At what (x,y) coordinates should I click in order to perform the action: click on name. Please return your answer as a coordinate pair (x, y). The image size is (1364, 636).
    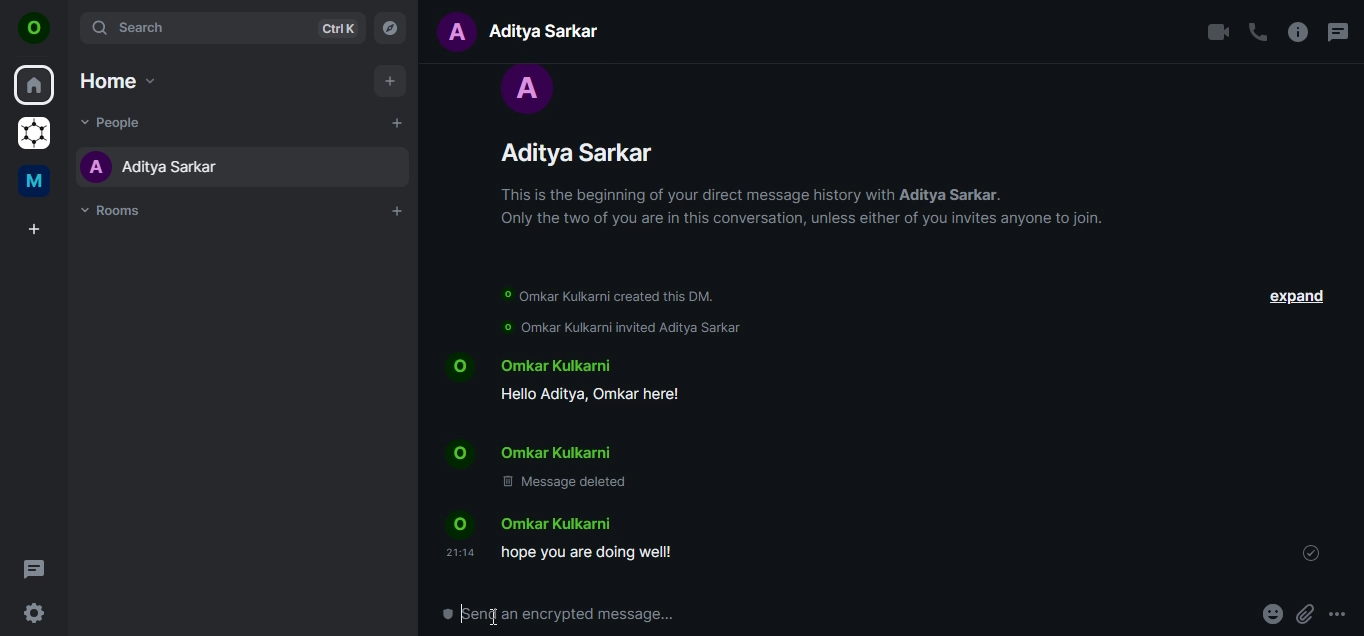
    Looking at the image, I should click on (191, 164).